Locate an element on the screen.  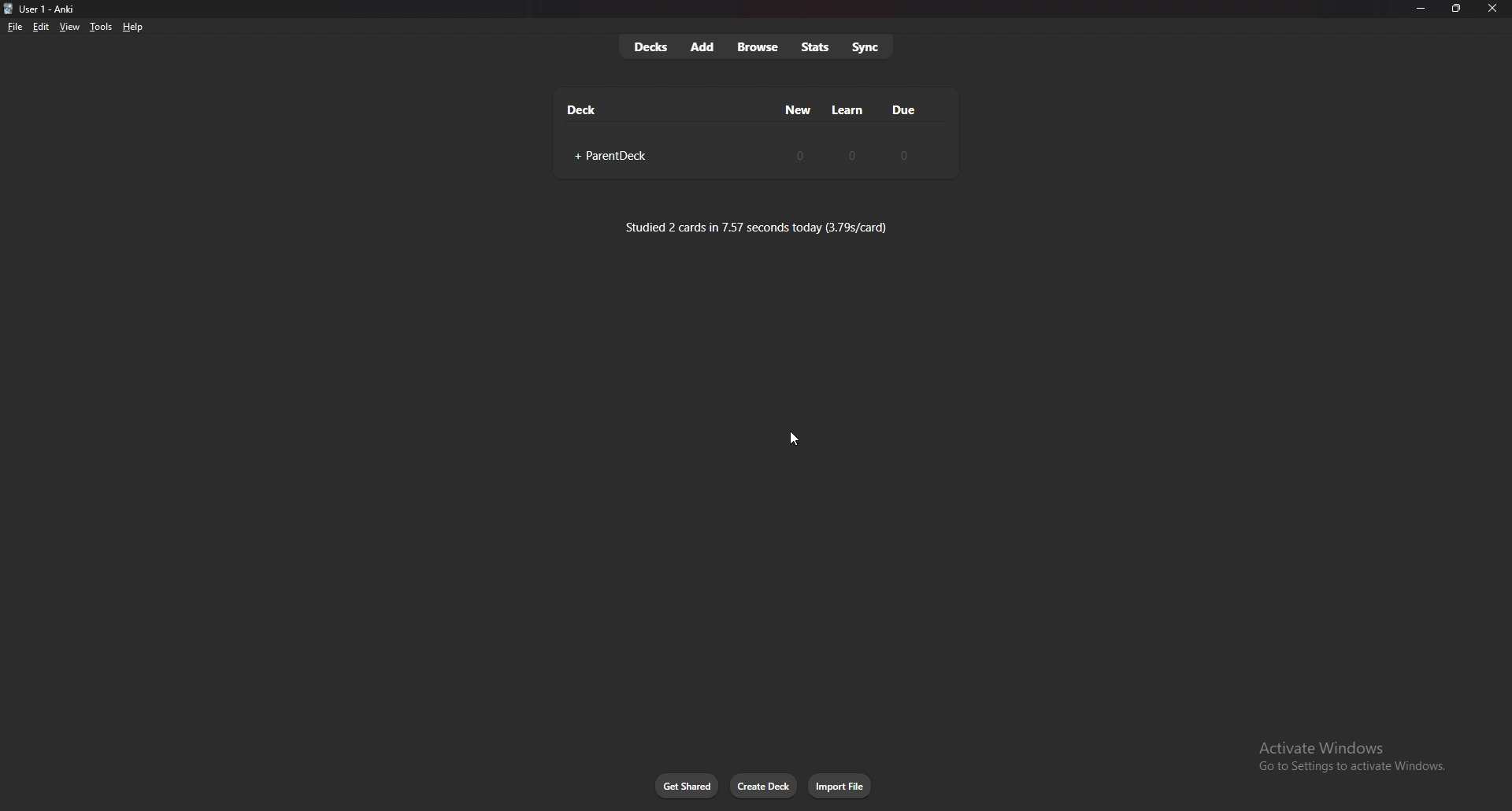
edit is located at coordinates (39, 28).